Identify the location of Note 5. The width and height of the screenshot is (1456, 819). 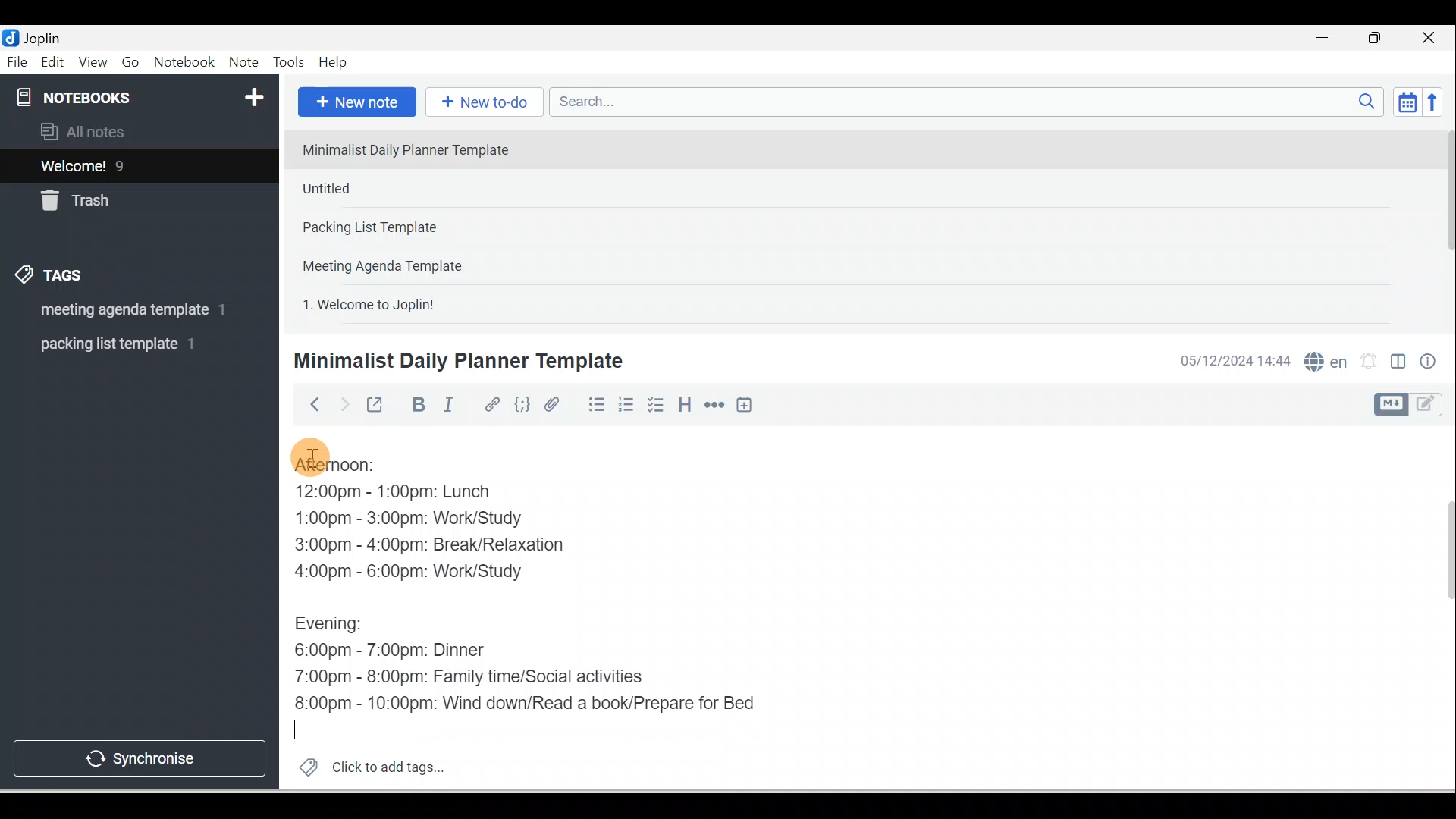
(424, 303).